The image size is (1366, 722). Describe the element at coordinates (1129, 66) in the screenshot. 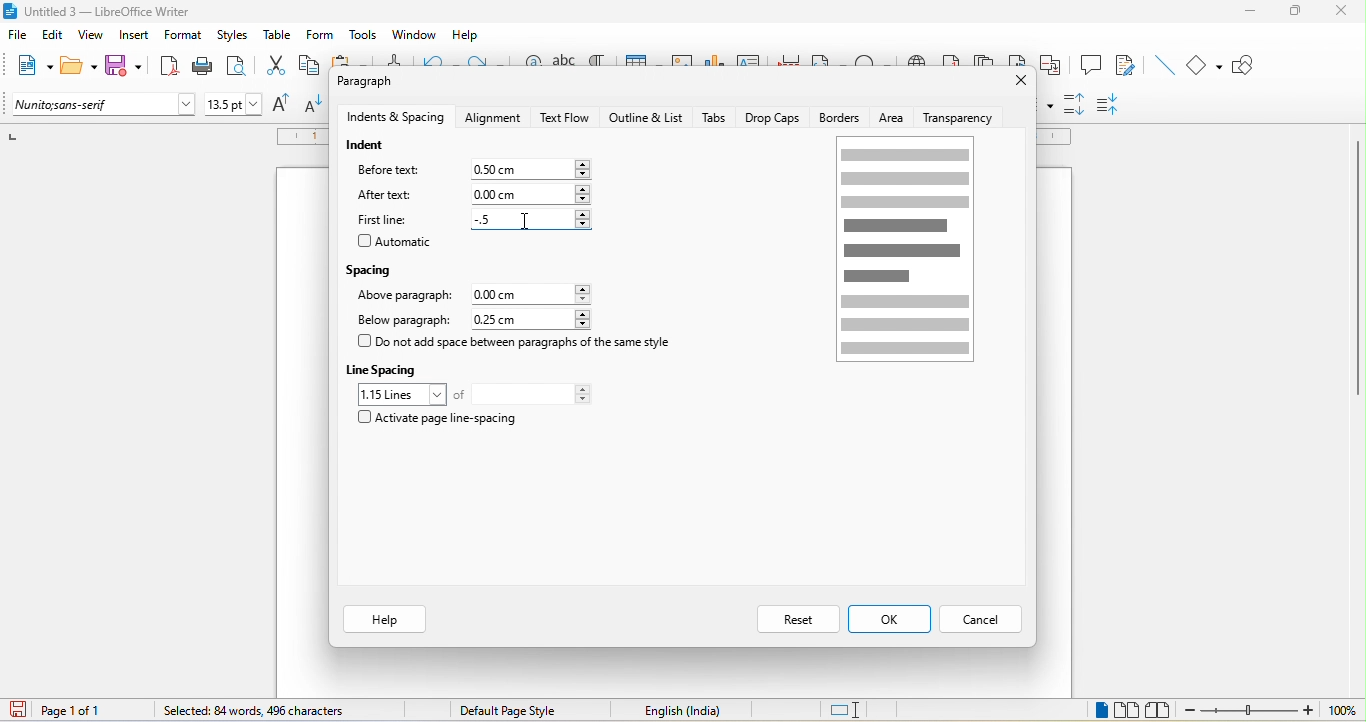

I see `show track changes function` at that location.